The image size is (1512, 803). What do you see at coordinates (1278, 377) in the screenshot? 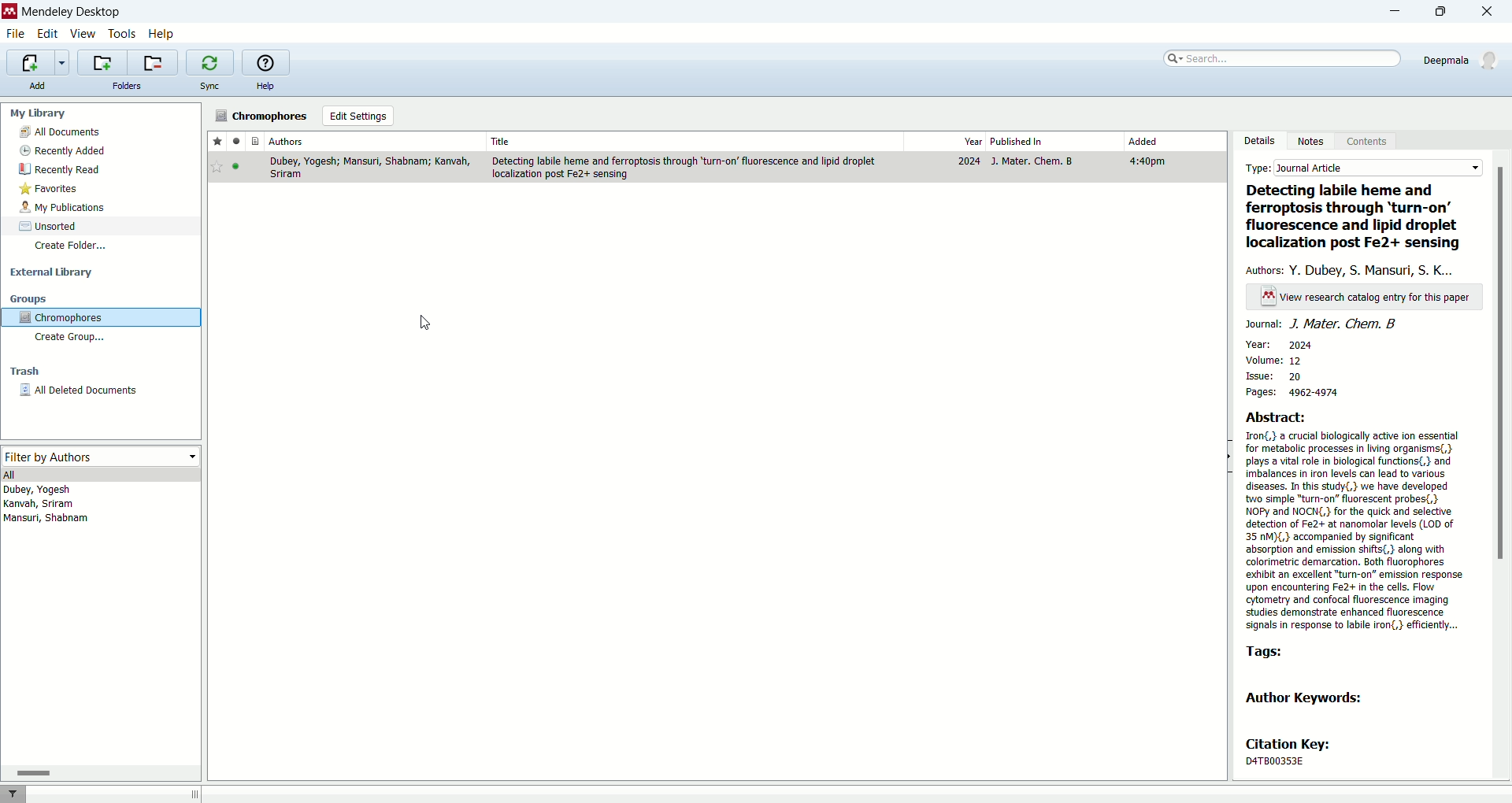
I see `issue: 20` at bounding box center [1278, 377].